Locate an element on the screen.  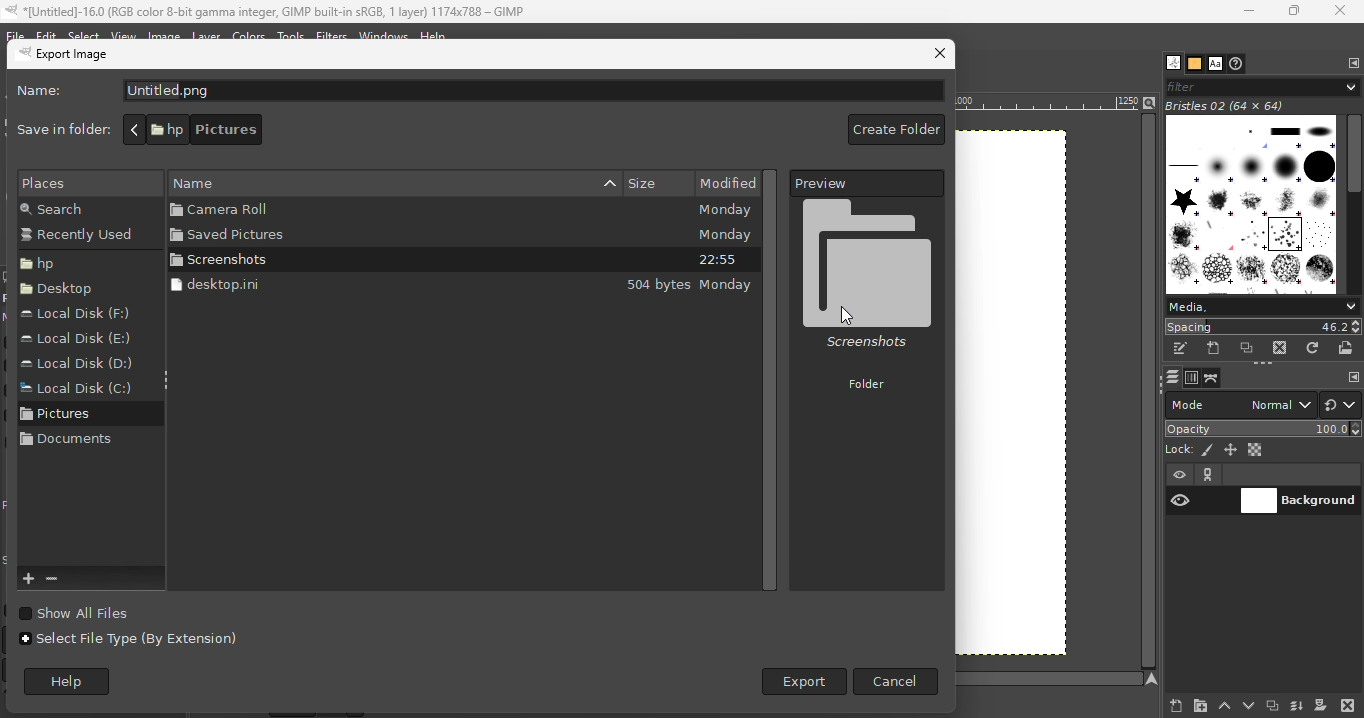
Pixcels is located at coordinates (1208, 451).